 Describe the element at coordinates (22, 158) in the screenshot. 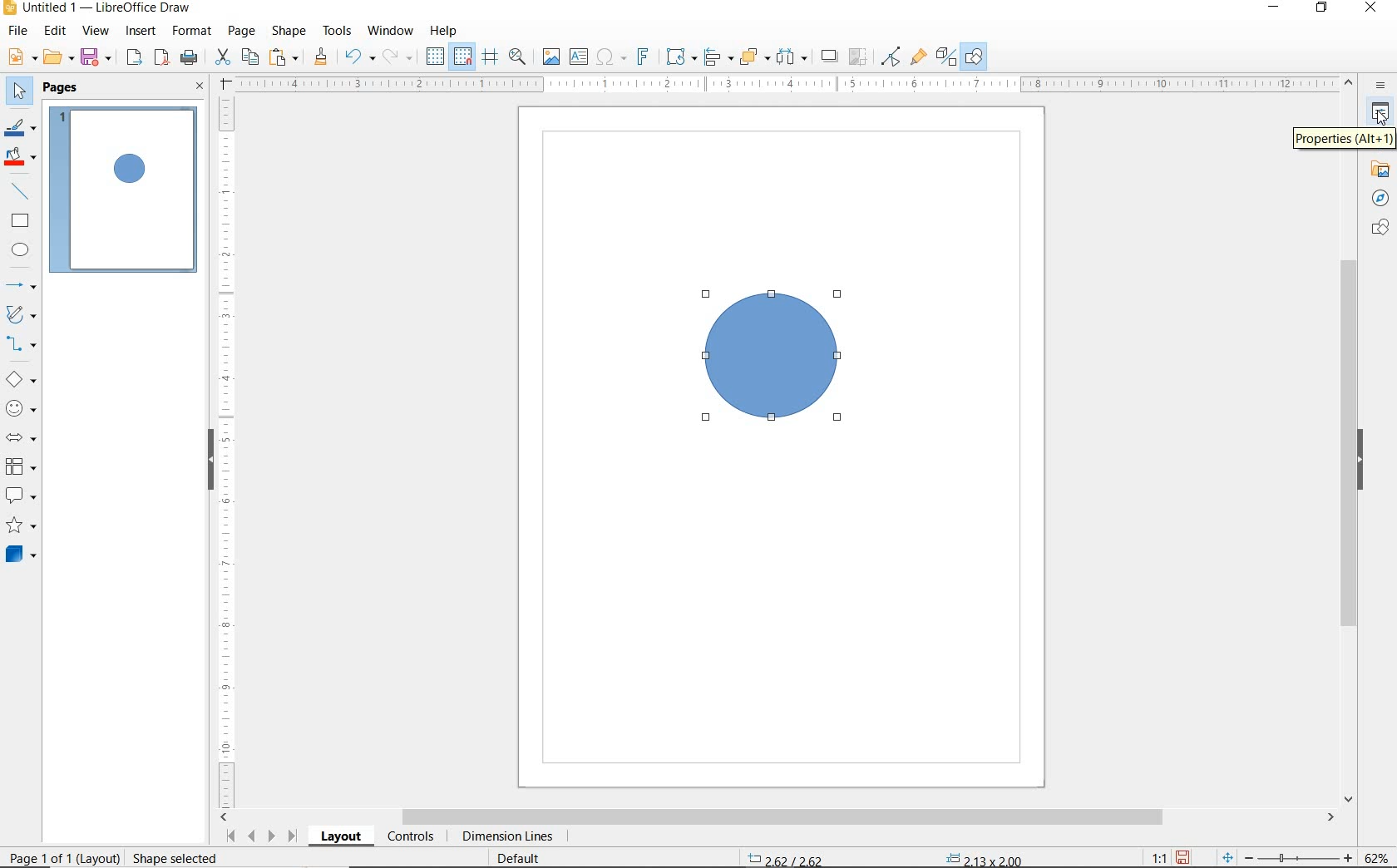

I see `FILL COLOR` at that location.